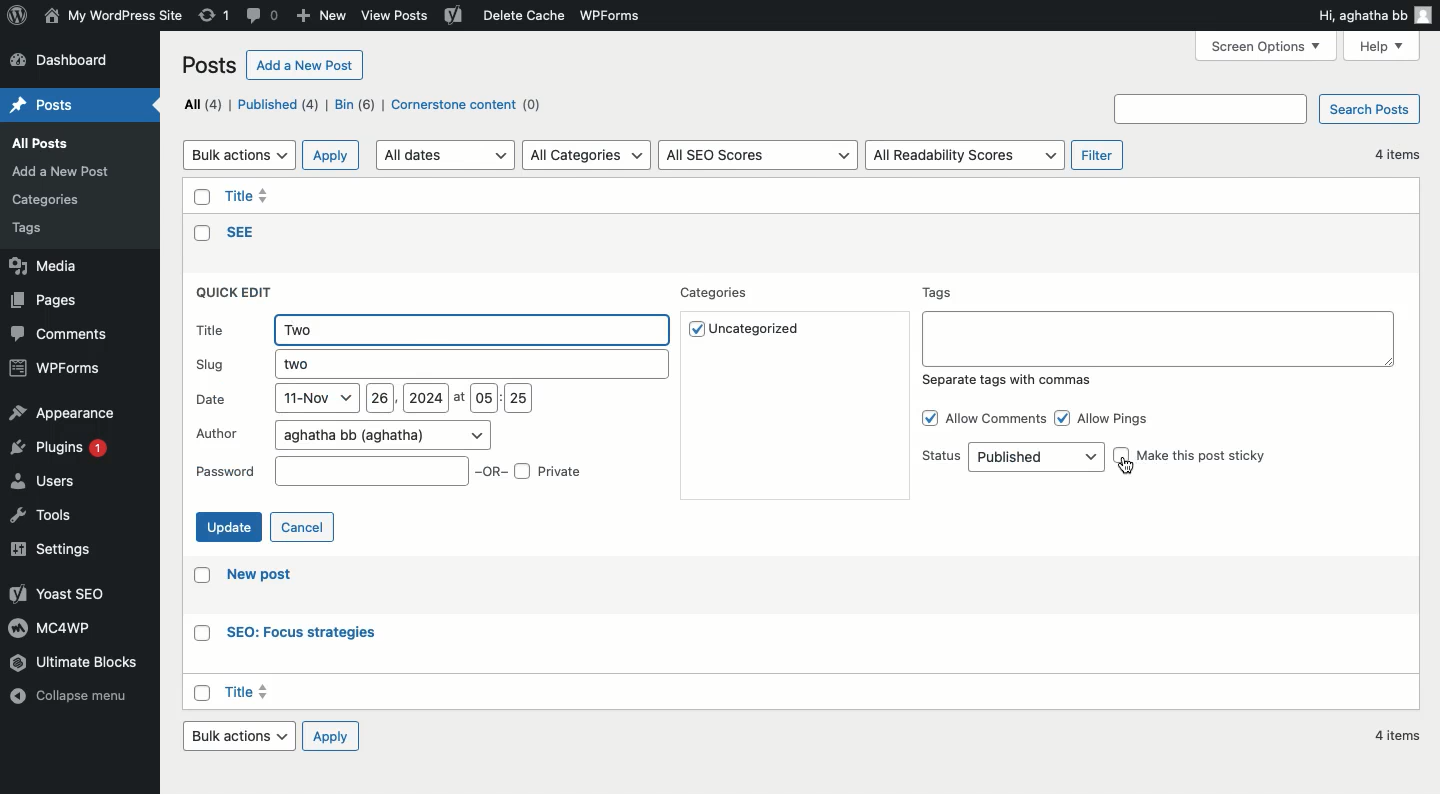  I want to click on Yoast SEO, so click(55, 593).